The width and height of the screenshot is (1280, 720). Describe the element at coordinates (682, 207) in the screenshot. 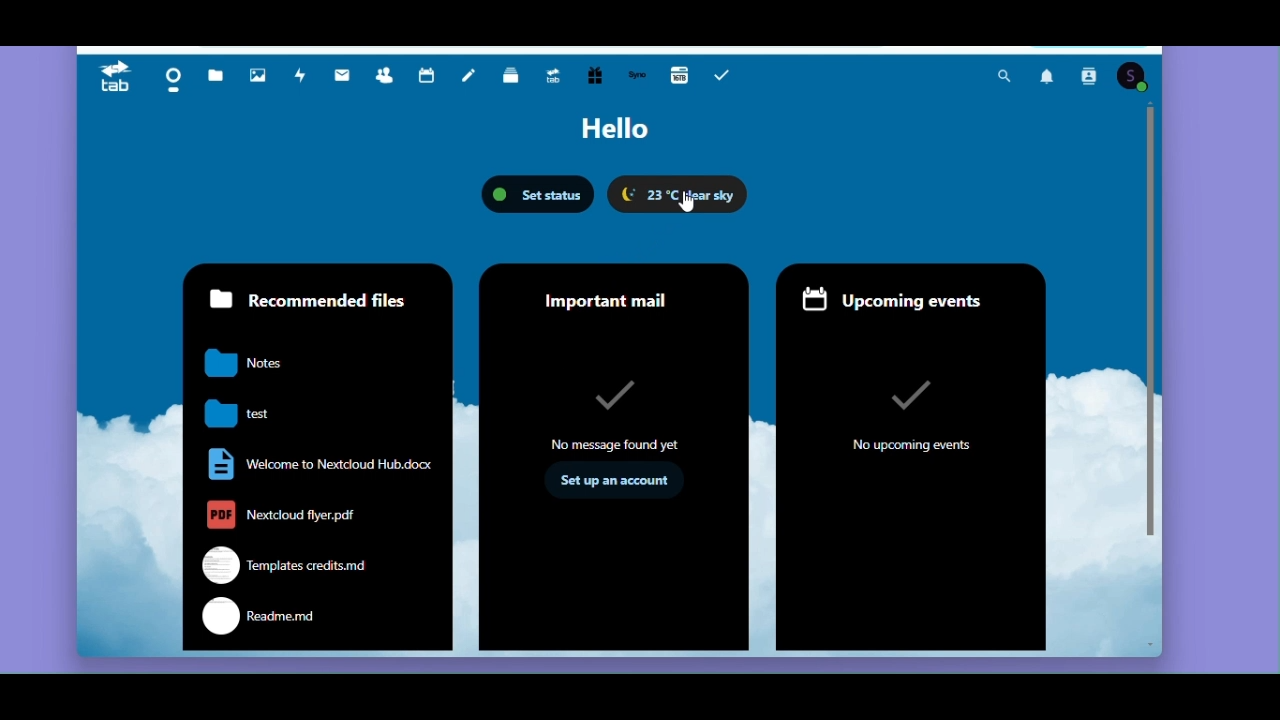

I see `cursor` at that location.